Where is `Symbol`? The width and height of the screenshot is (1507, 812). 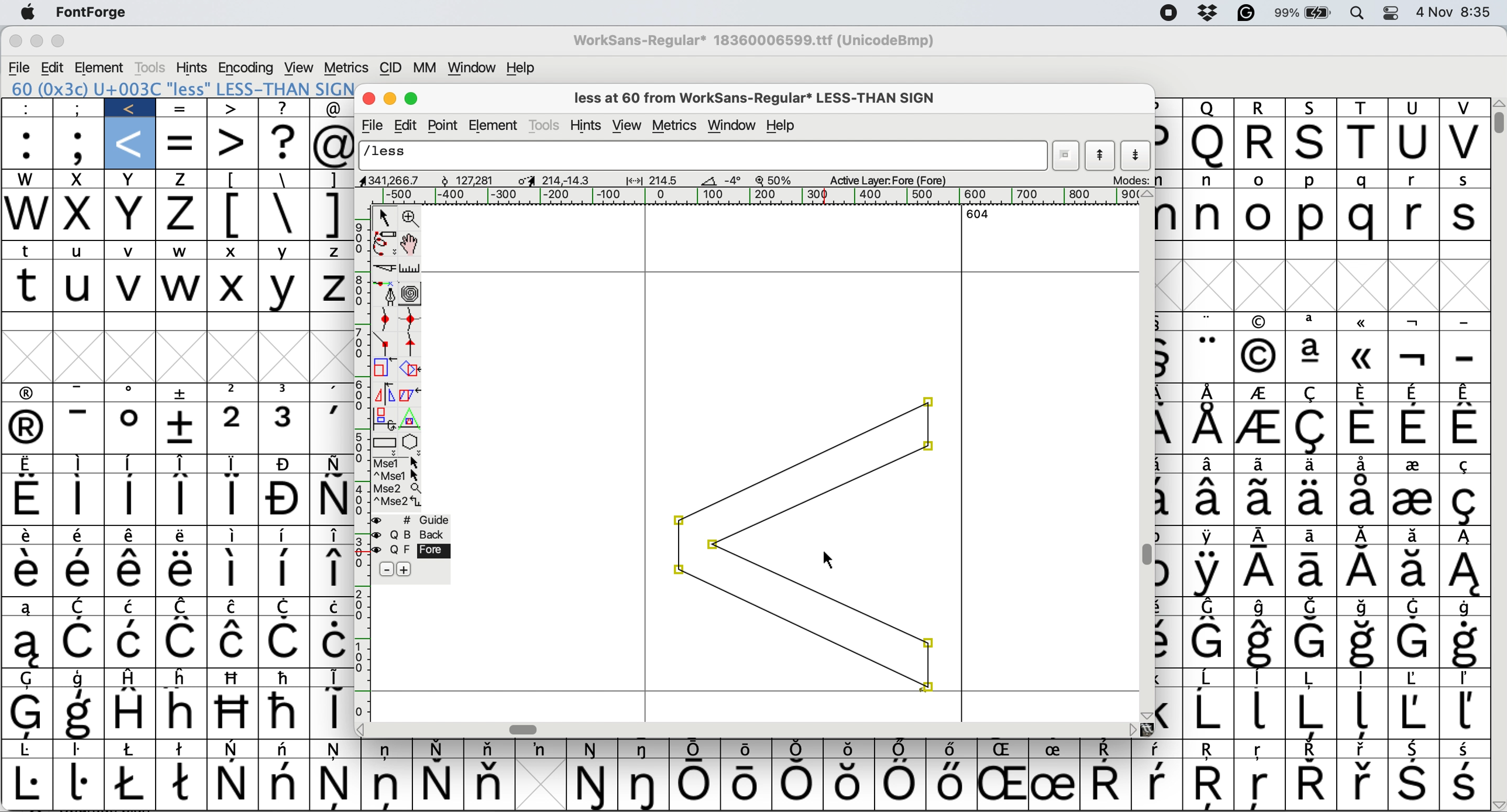 Symbol is located at coordinates (32, 535).